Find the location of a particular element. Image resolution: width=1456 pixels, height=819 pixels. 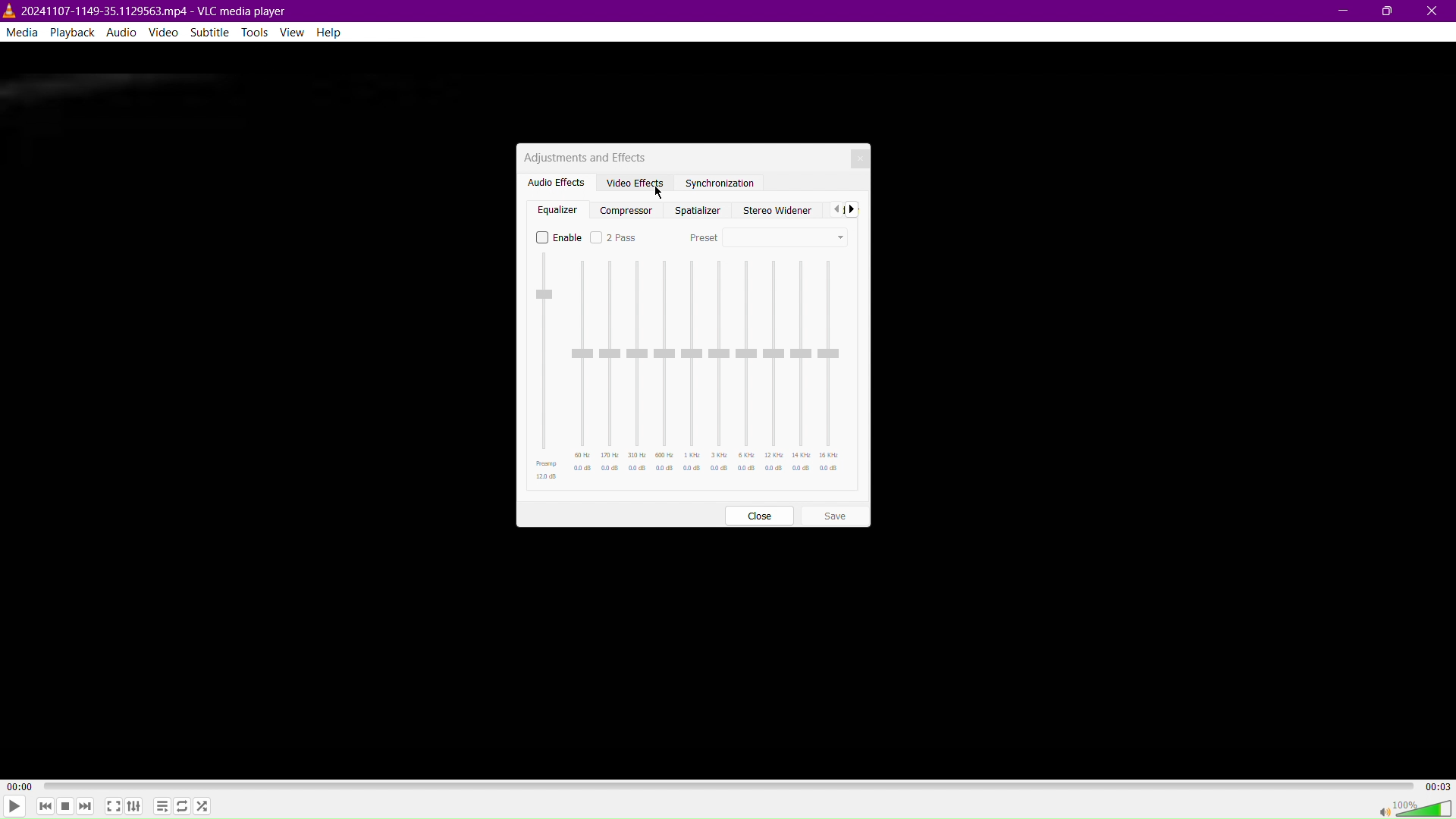

16 KHz Equalizer is located at coordinates (830, 369).